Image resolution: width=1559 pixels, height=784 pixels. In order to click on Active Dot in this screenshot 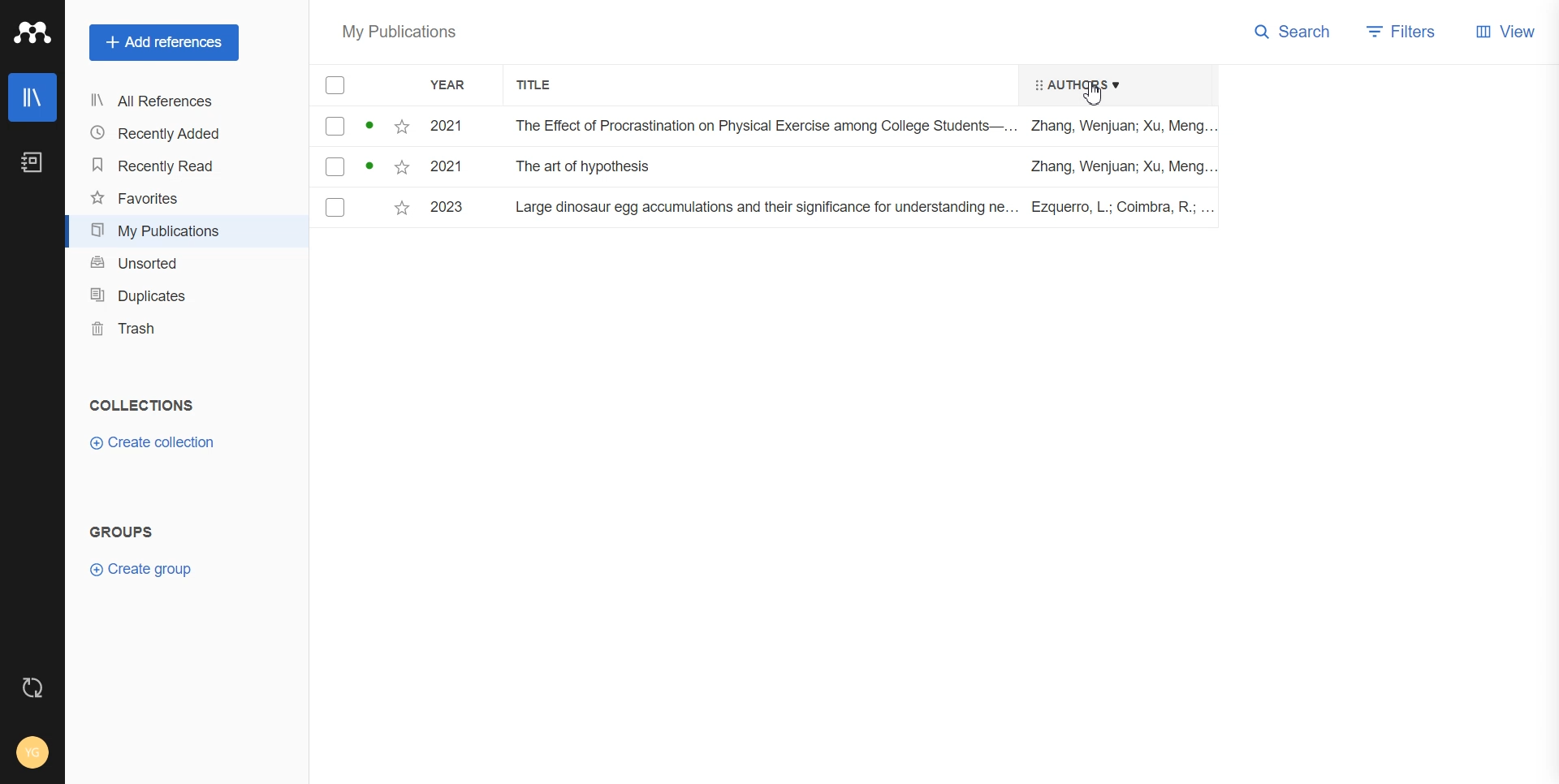, I will do `click(372, 127)`.